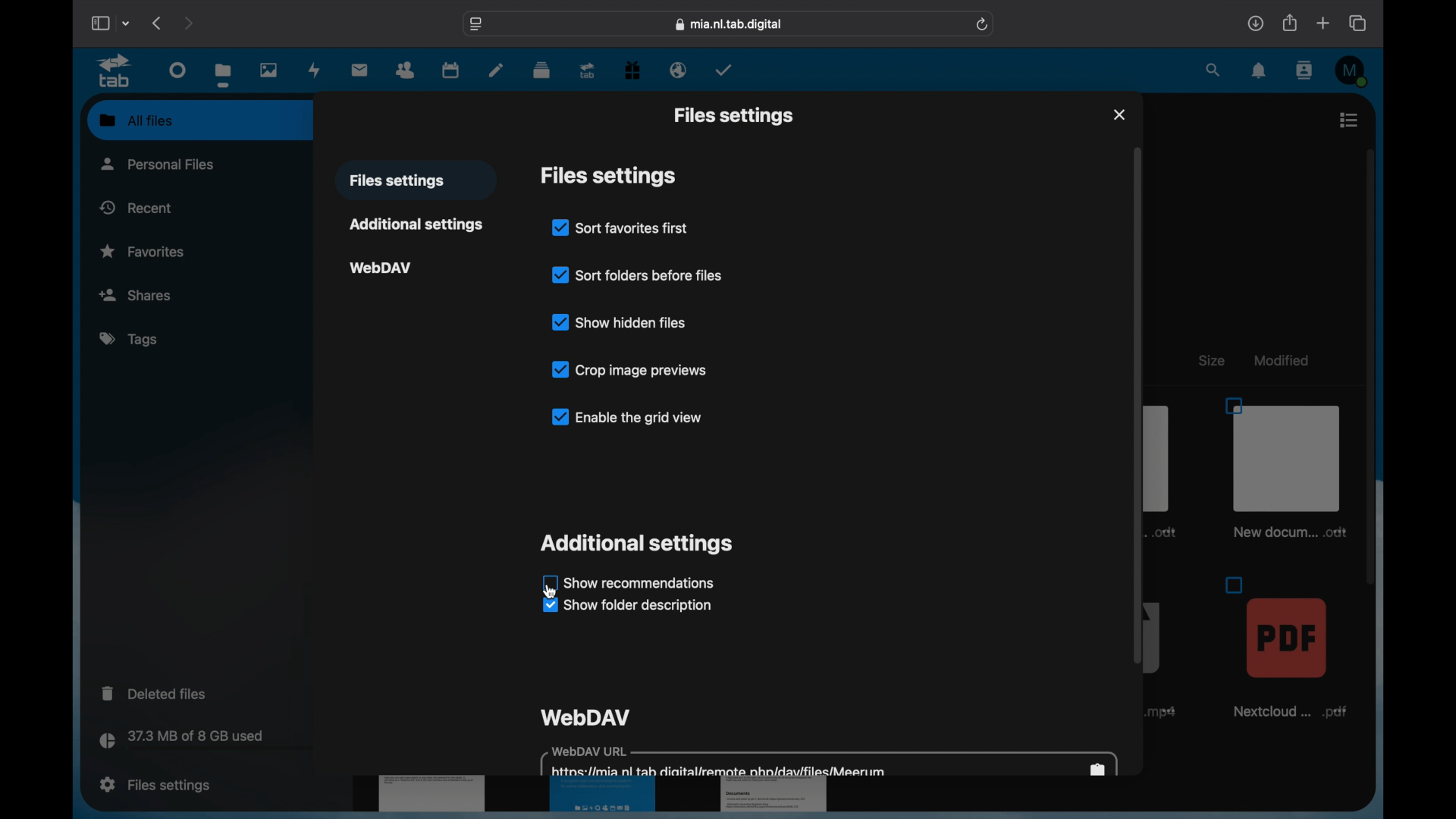 The height and width of the screenshot is (819, 1456). I want to click on files settings, so click(734, 117).